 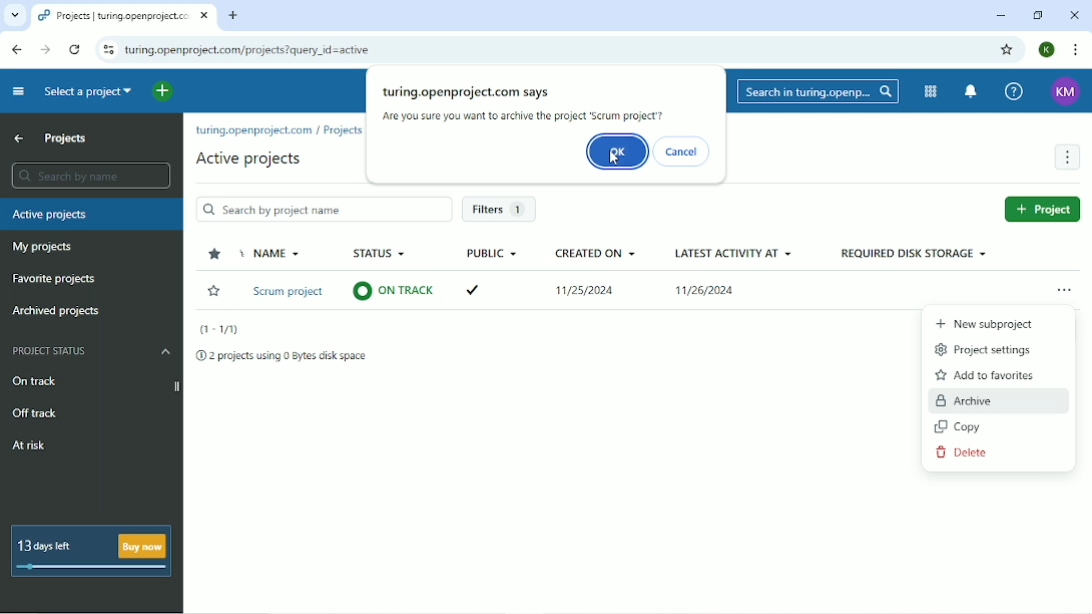 What do you see at coordinates (1066, 157) in the screenshot?
I see `More` at bounding box center [1066, 157].